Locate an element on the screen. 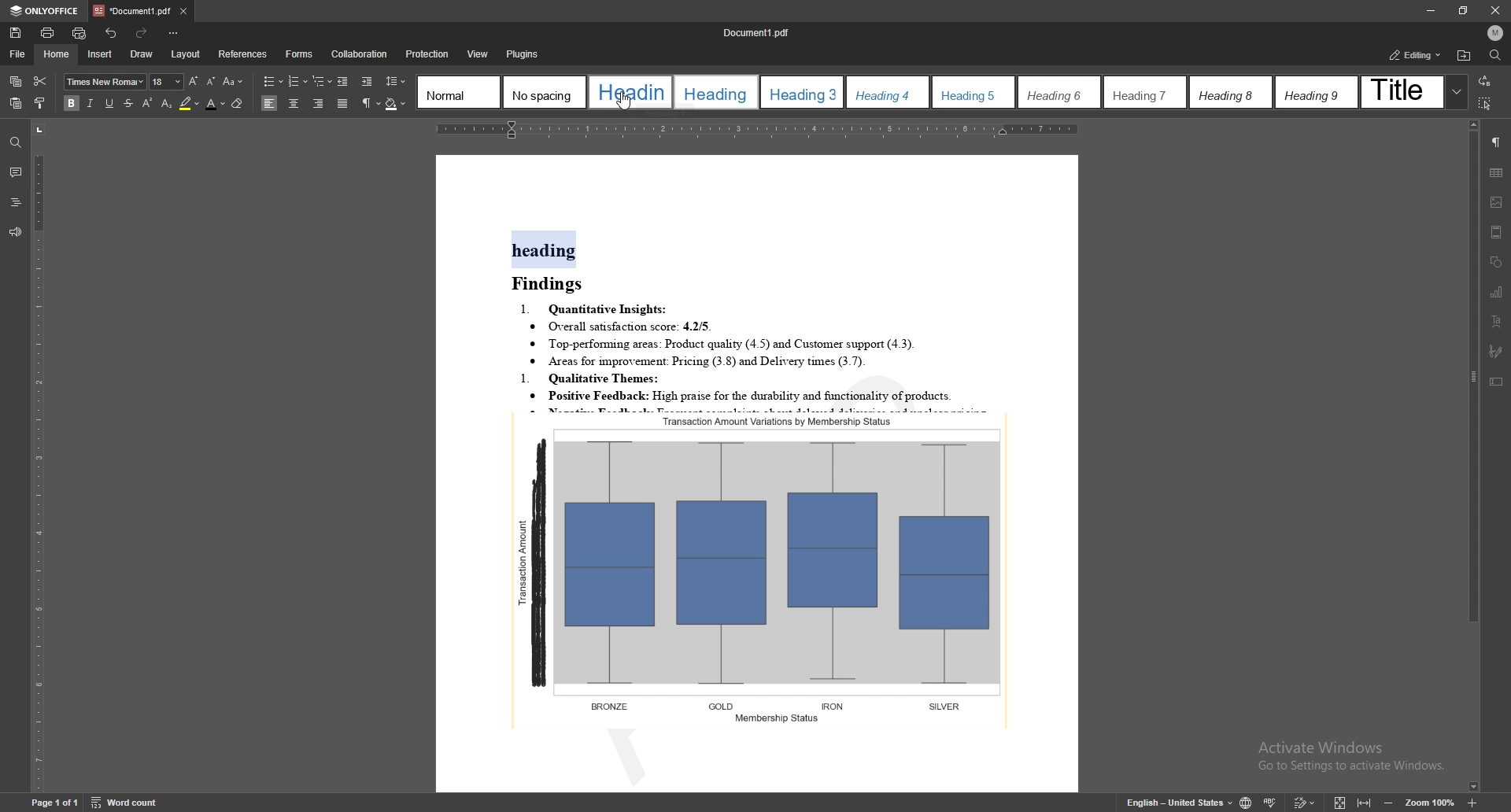 The width and height of the screenshot is (1511, 812). onlyoffice is located at coordinates (45, 12).